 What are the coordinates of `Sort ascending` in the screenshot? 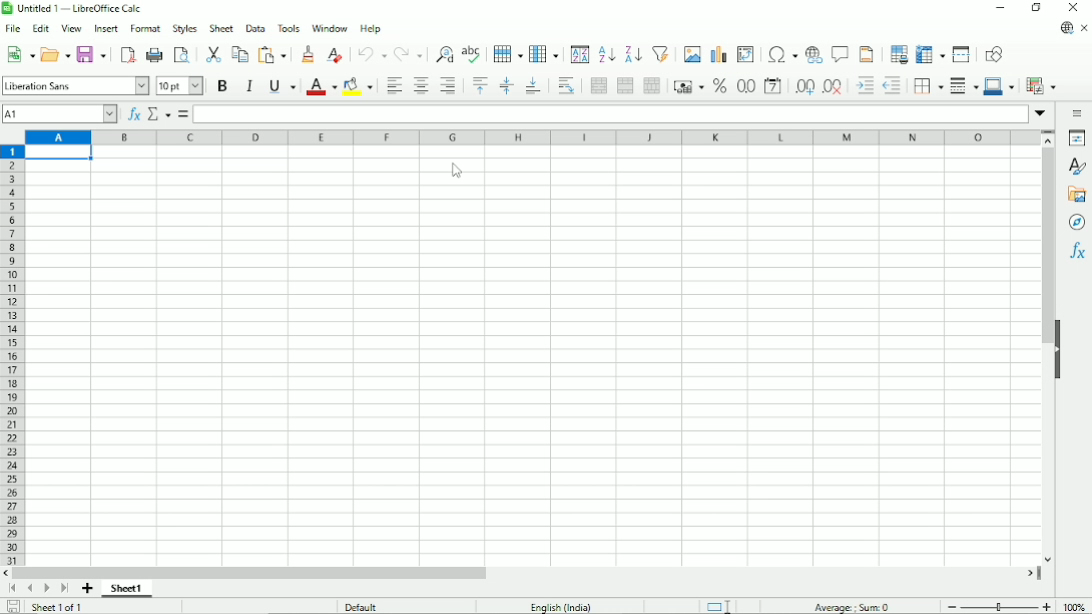 It's located at (606, 55).